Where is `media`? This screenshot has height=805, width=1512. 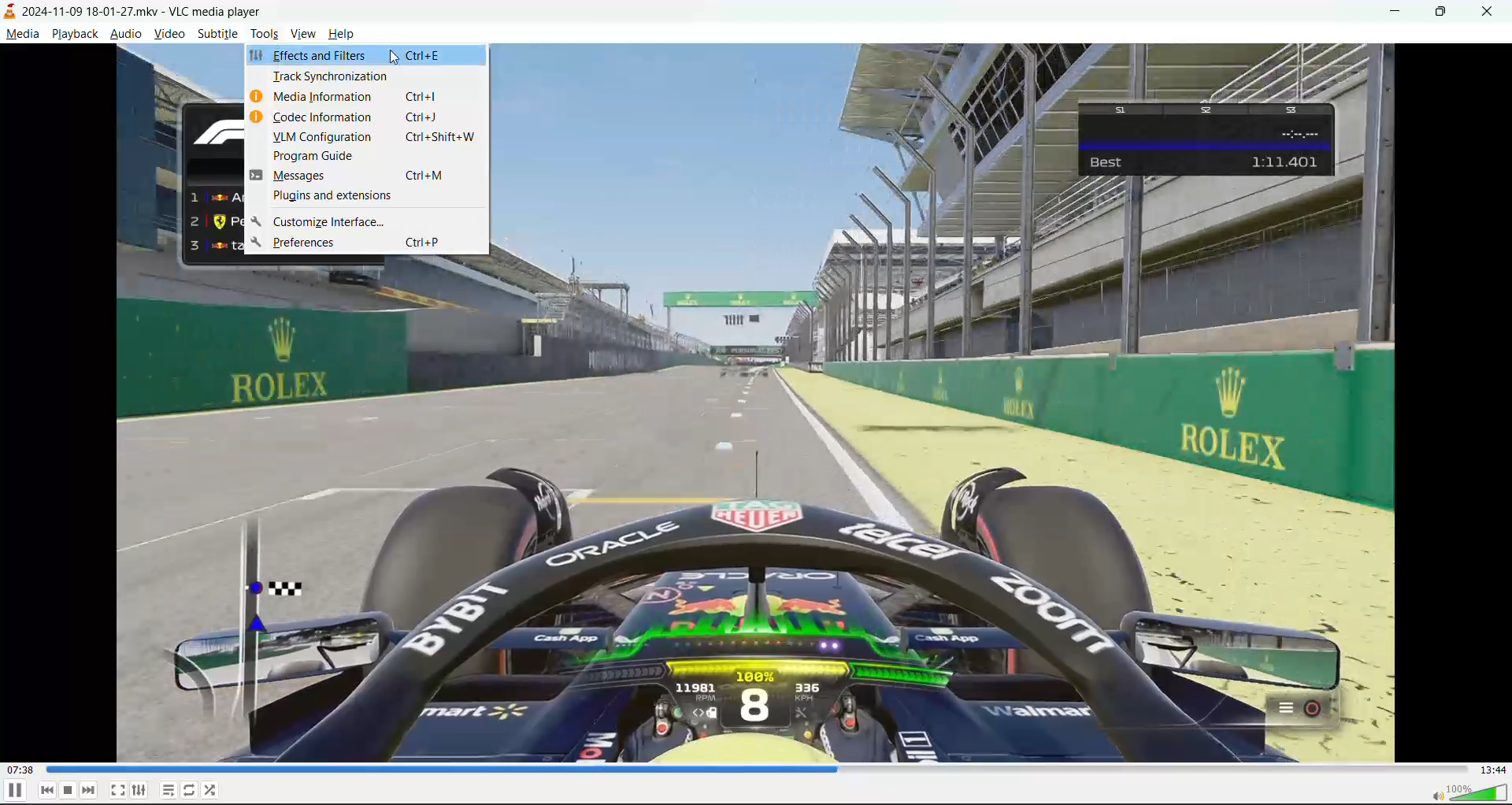 media is located at coordinates (20, 34).